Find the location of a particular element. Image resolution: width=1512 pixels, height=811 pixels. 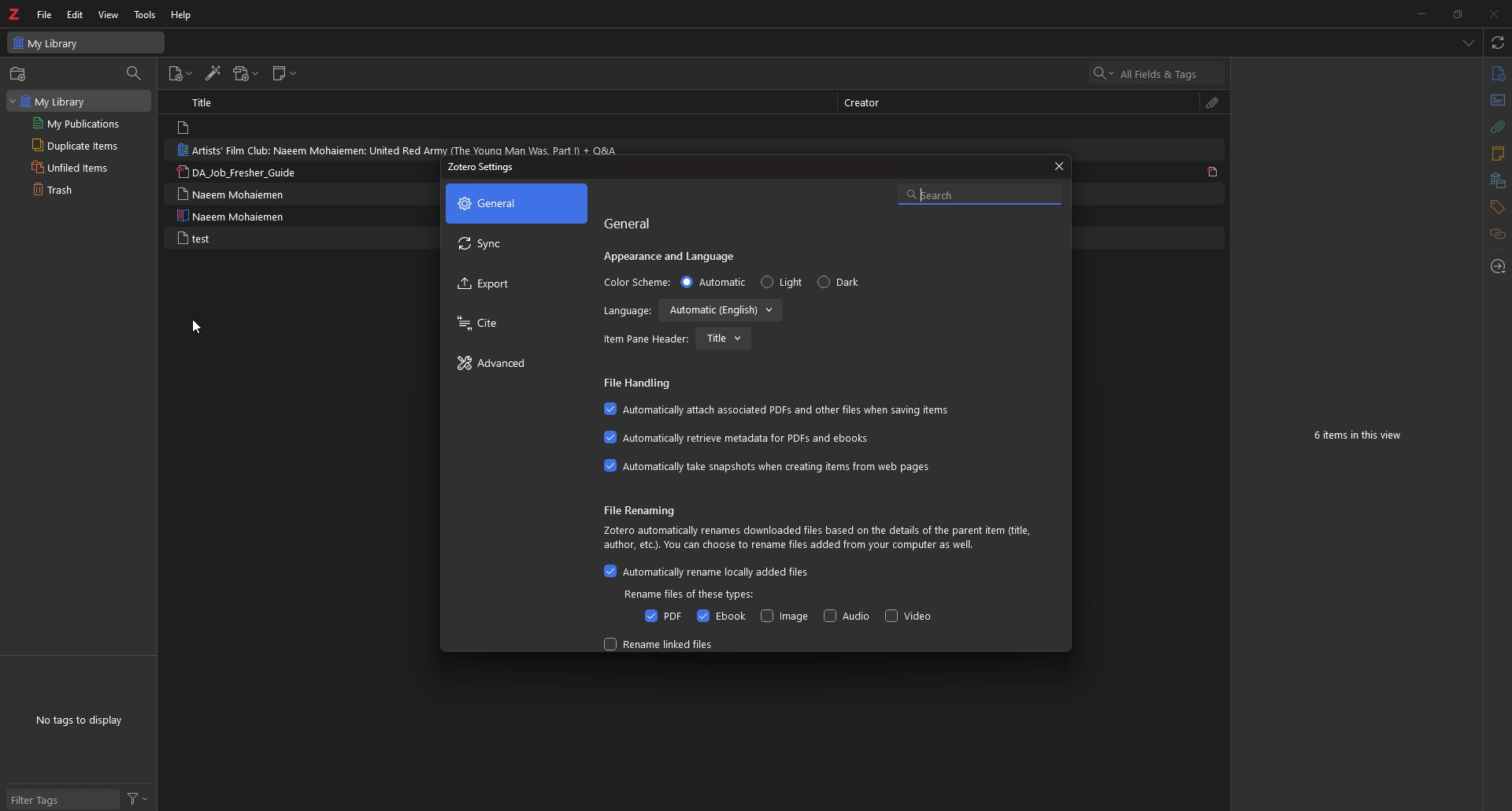

resize is located at coordinates (1457, 13).